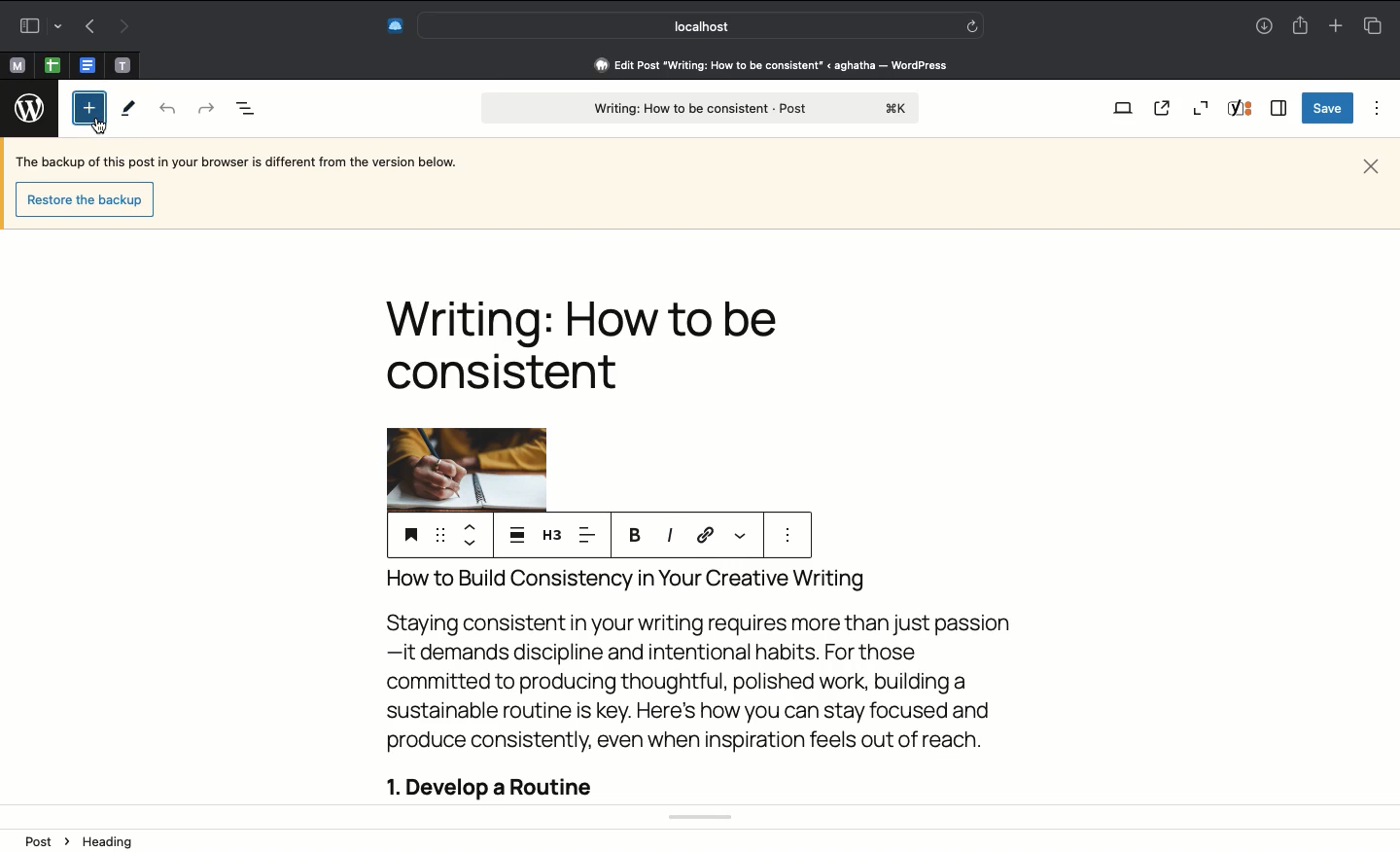 The image size is (1400, 852). I want to click on options, so click(791, 534).